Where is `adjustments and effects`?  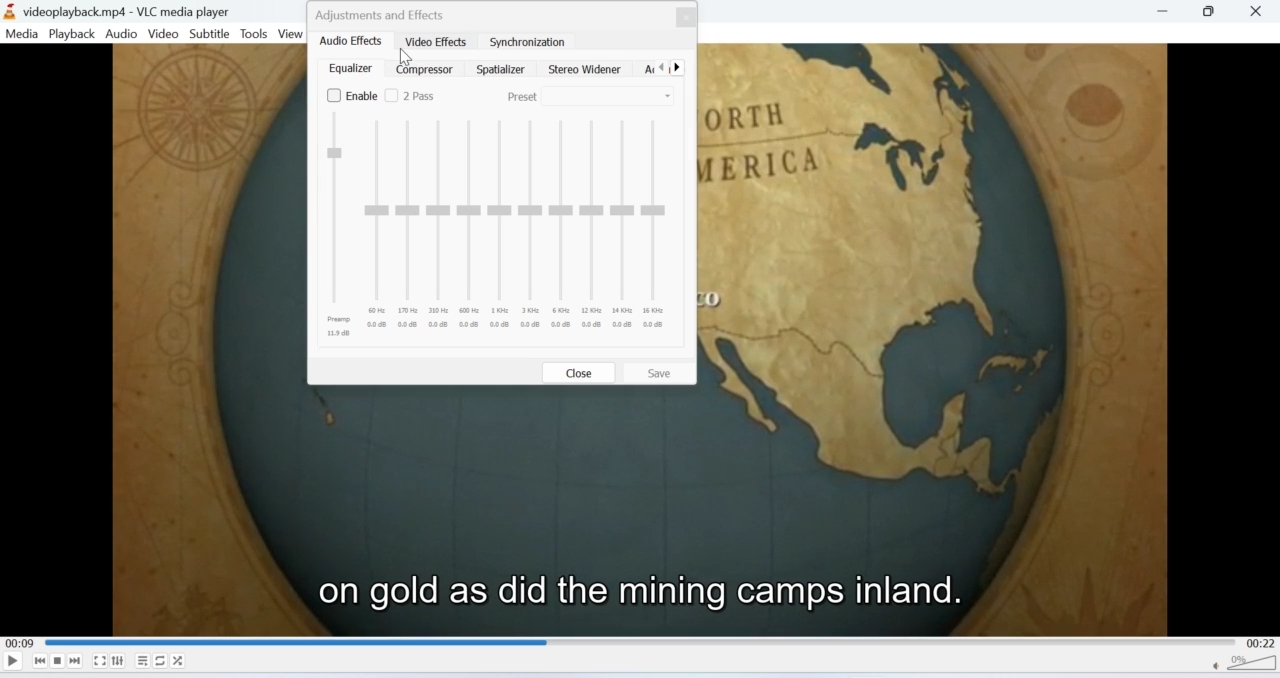
adjustments and effects is located at coordinates (379, 13).